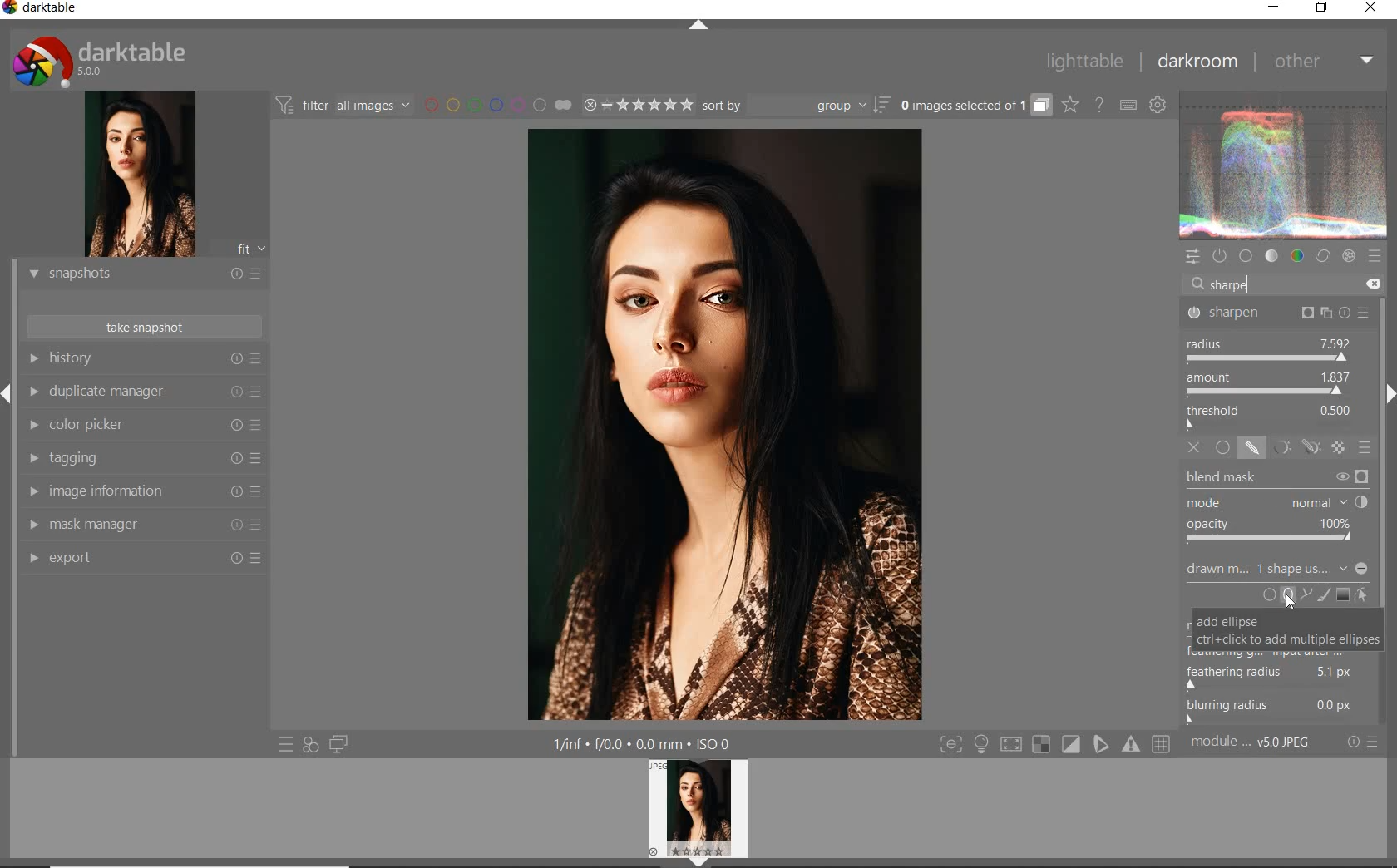 This screenshot has width=1397, height=868. I want to click on ADD ELLIPSE, so click(1277, 634).